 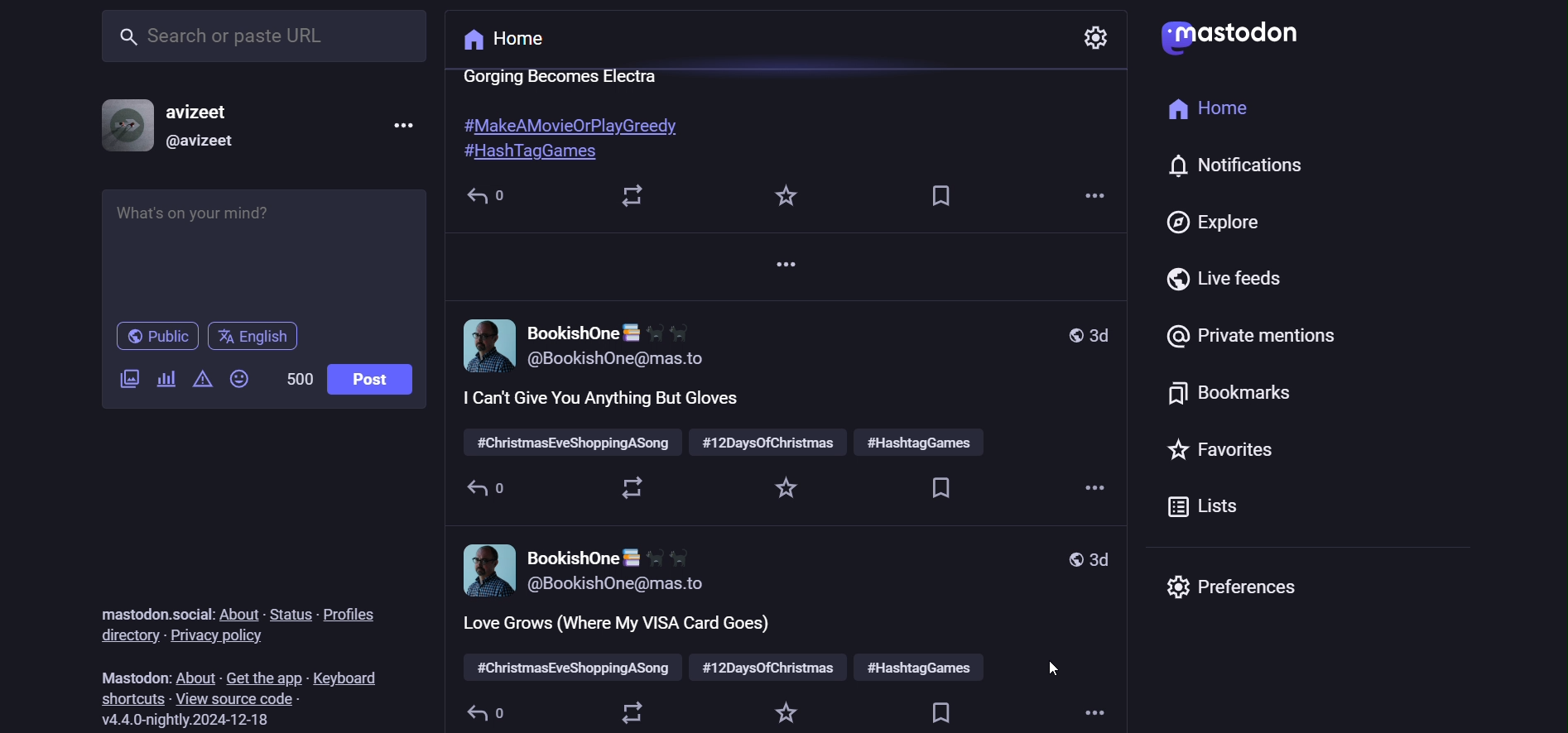 What do you see at coordinates (204, 109) in the screenshot?
I see `avizeet (name)` at bounding box center [204, 109].